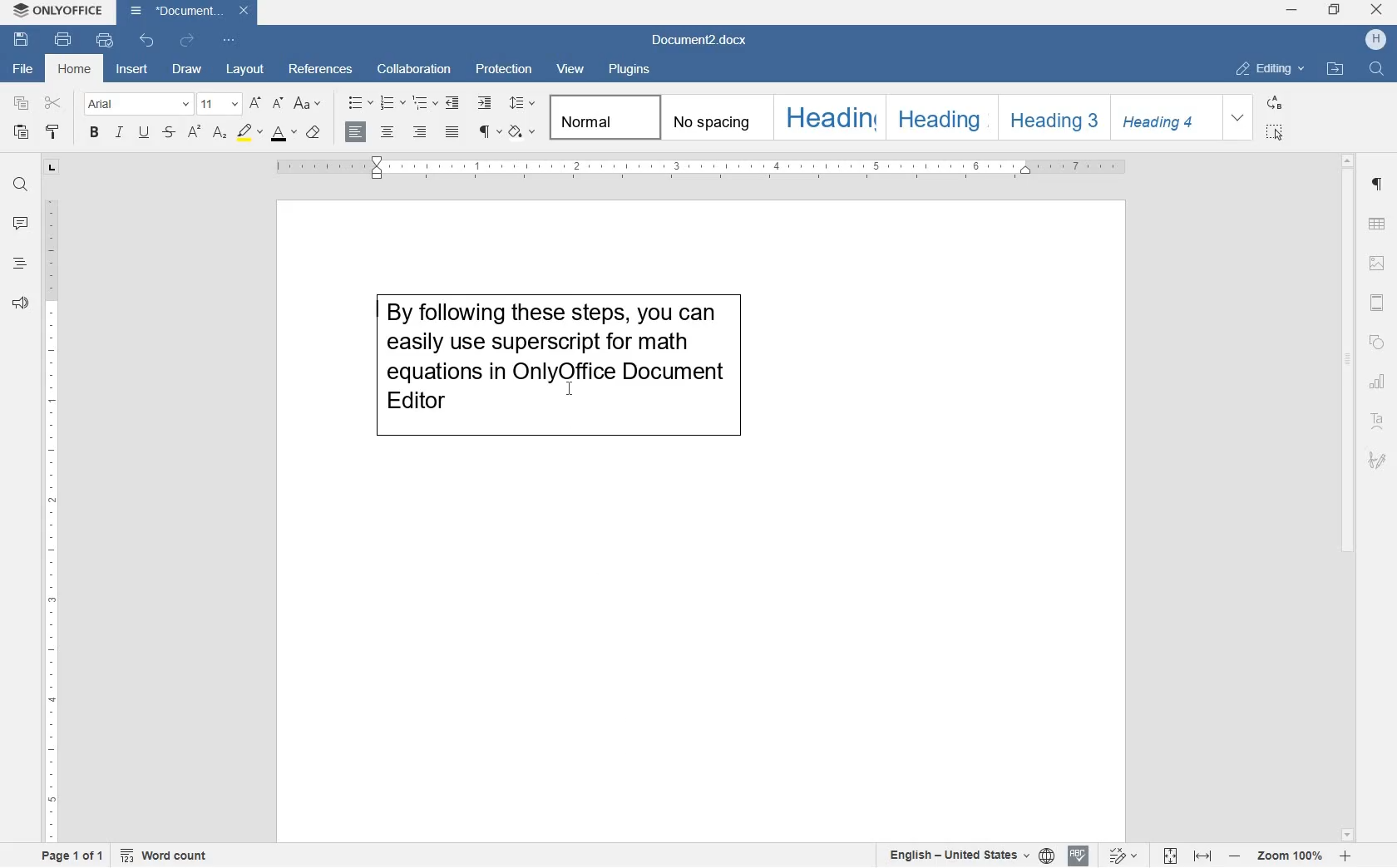  What do you see at coordinates (283, 134) in the screenshot?
I see `font color` at bounding box center [283, 134].